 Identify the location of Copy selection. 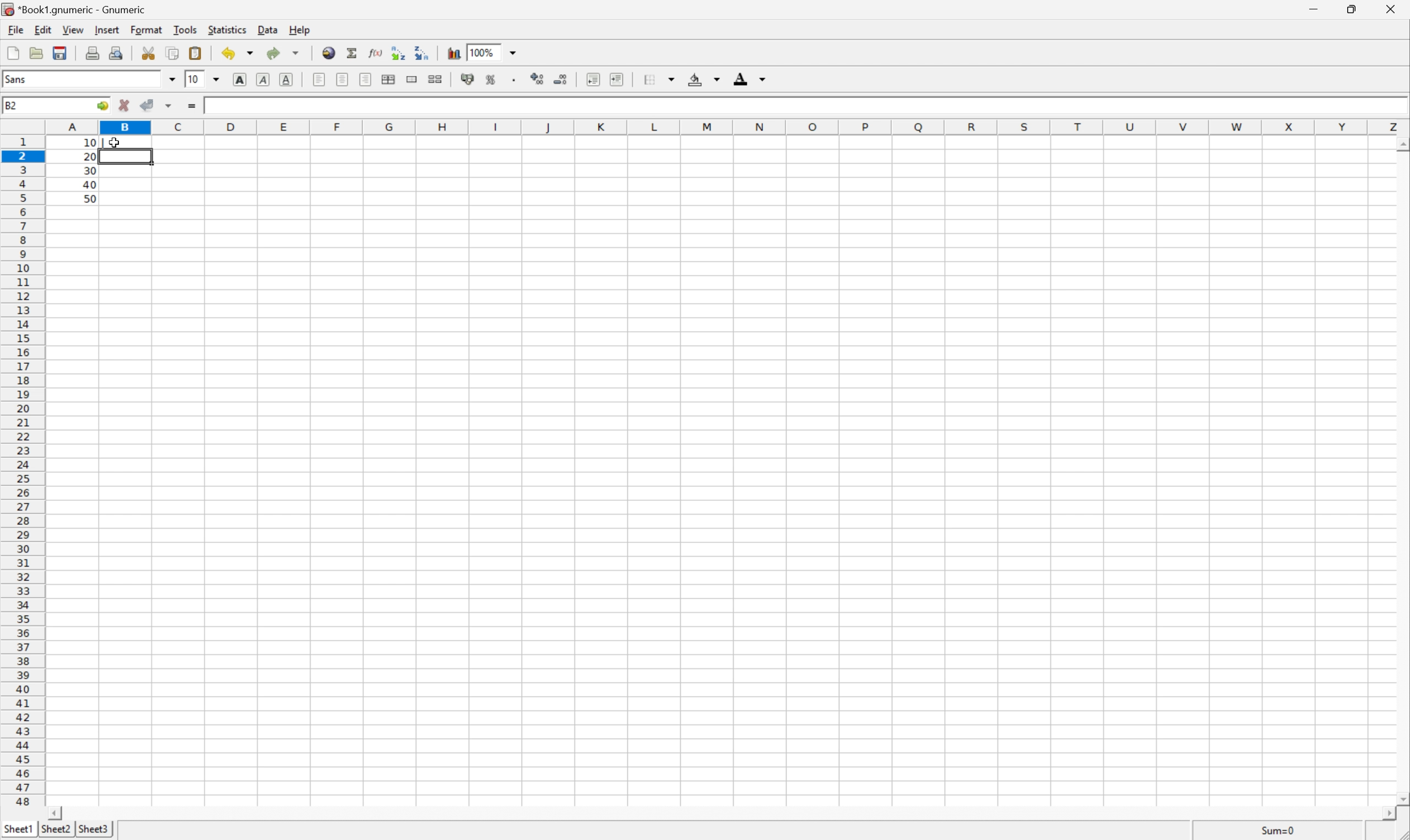
(174, 54).